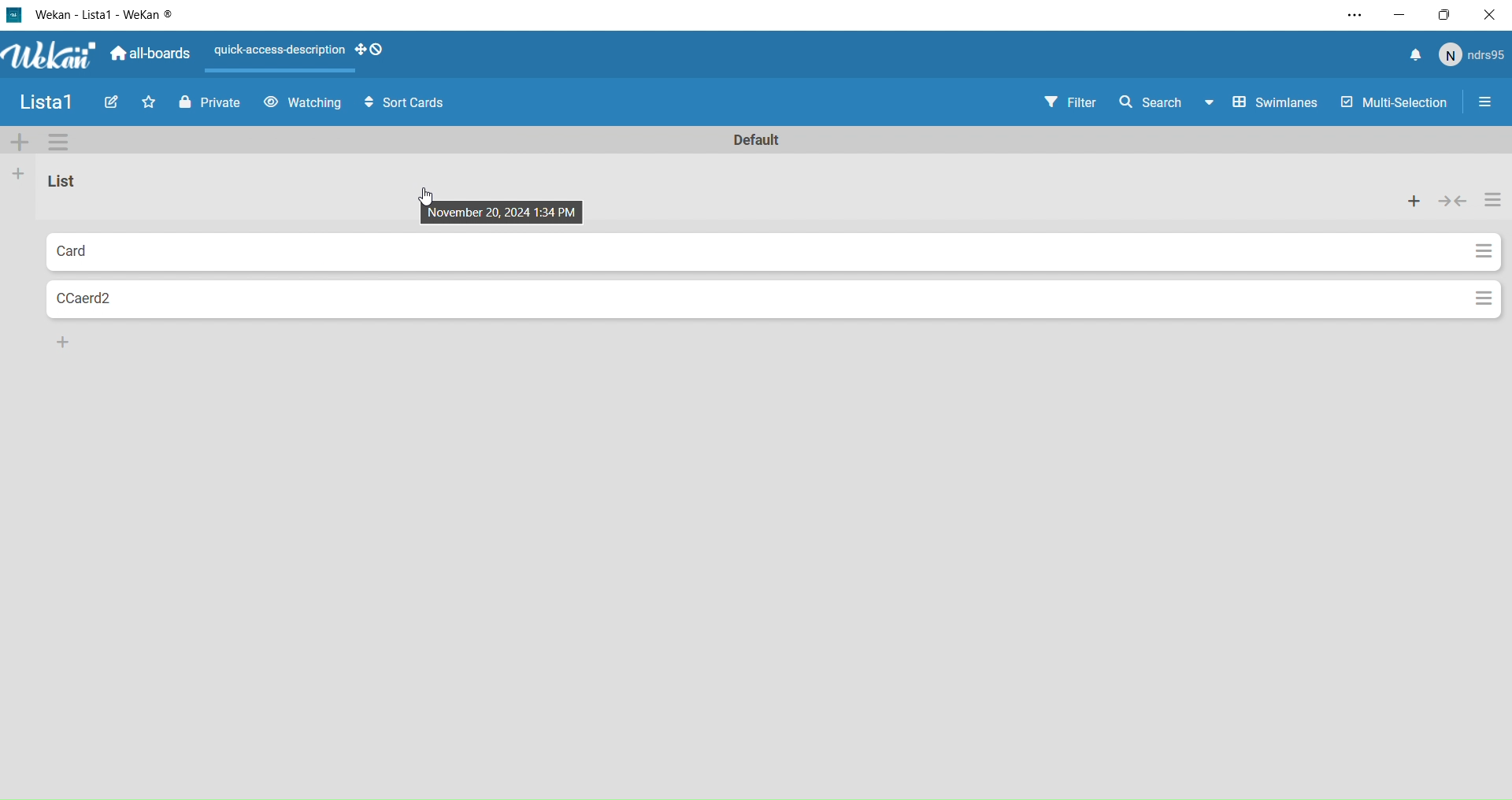 Image resolution: width=1512 pixels, height=800 pixels. Describe the element at coordinates (91, 17) in the screenshot. I see `Wekan` at that location.